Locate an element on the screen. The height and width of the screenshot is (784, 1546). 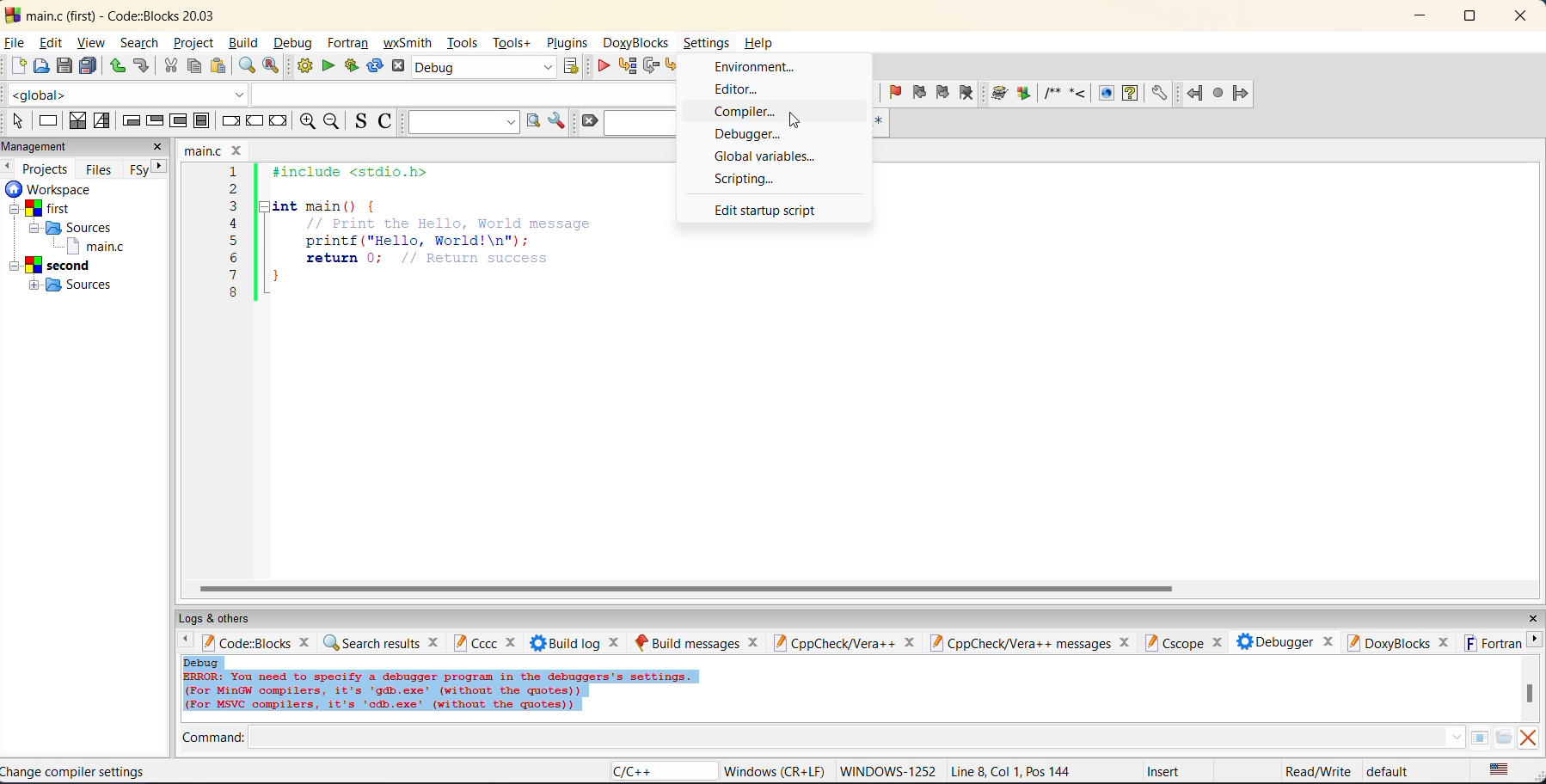
environment is located at coordinates (764, 67).